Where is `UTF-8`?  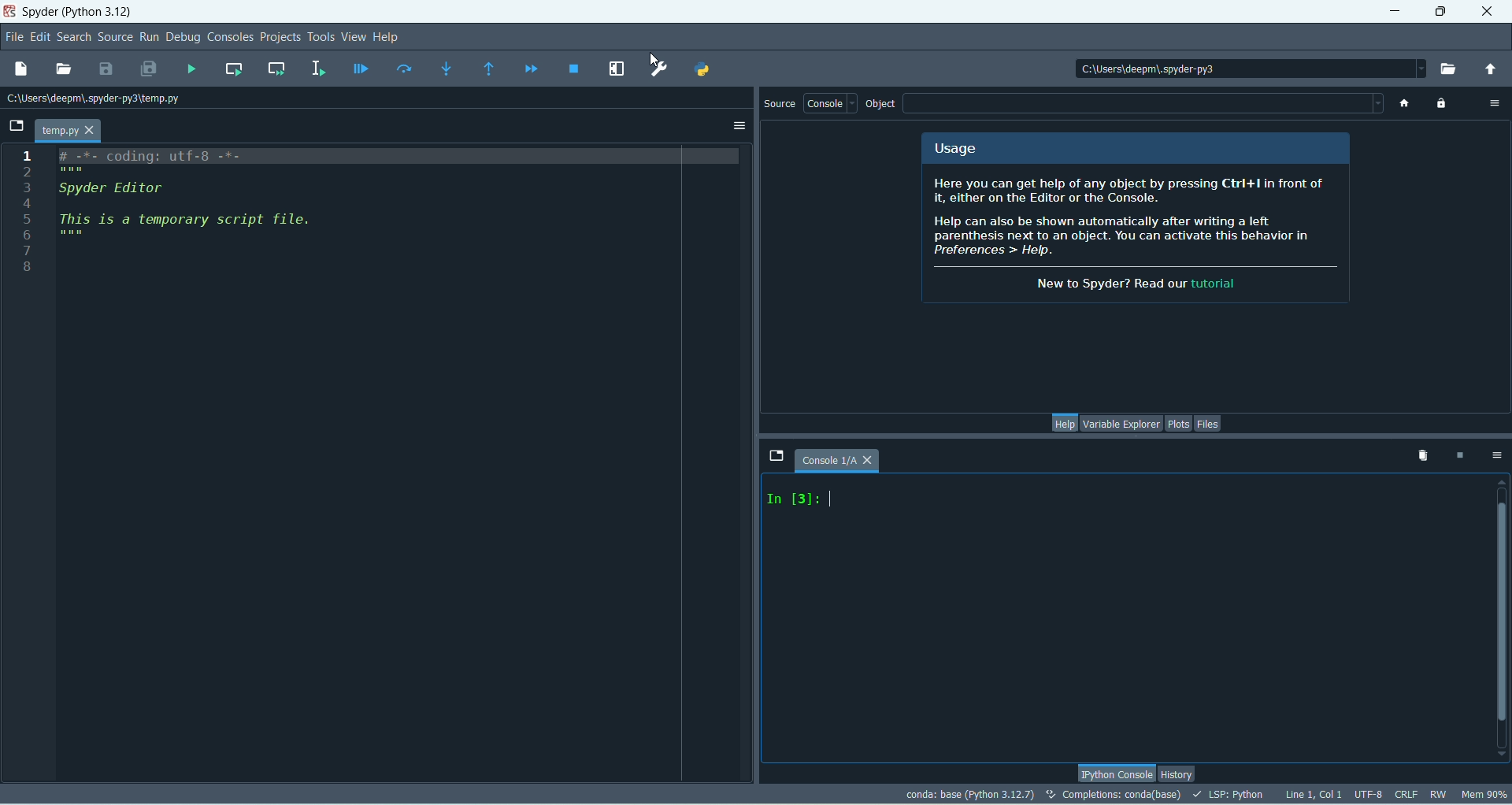
UTF-8 is located at coordinates (1369, 794).